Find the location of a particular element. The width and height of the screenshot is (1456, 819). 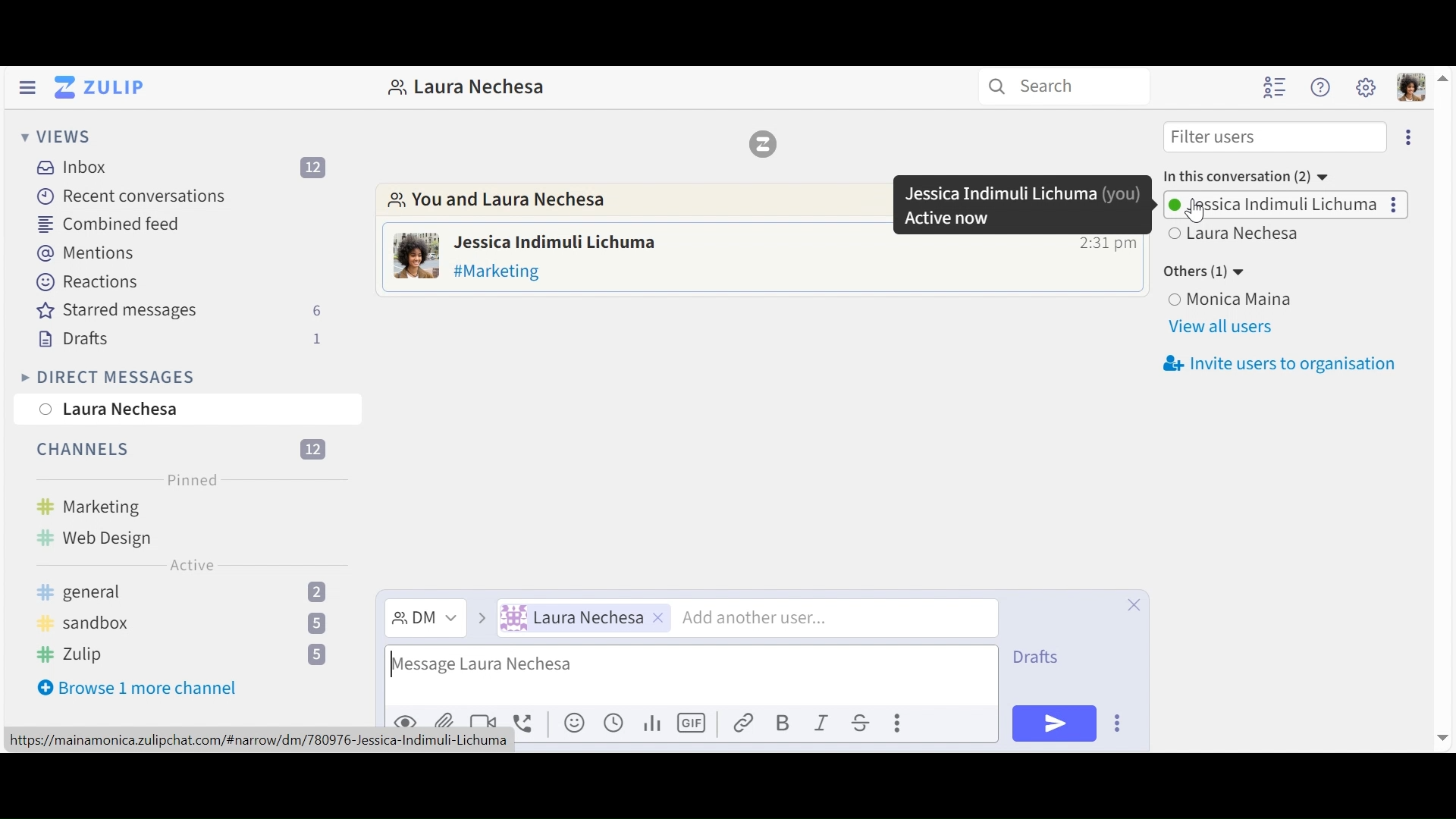

Help menu is located at coordinates (1323, 88).